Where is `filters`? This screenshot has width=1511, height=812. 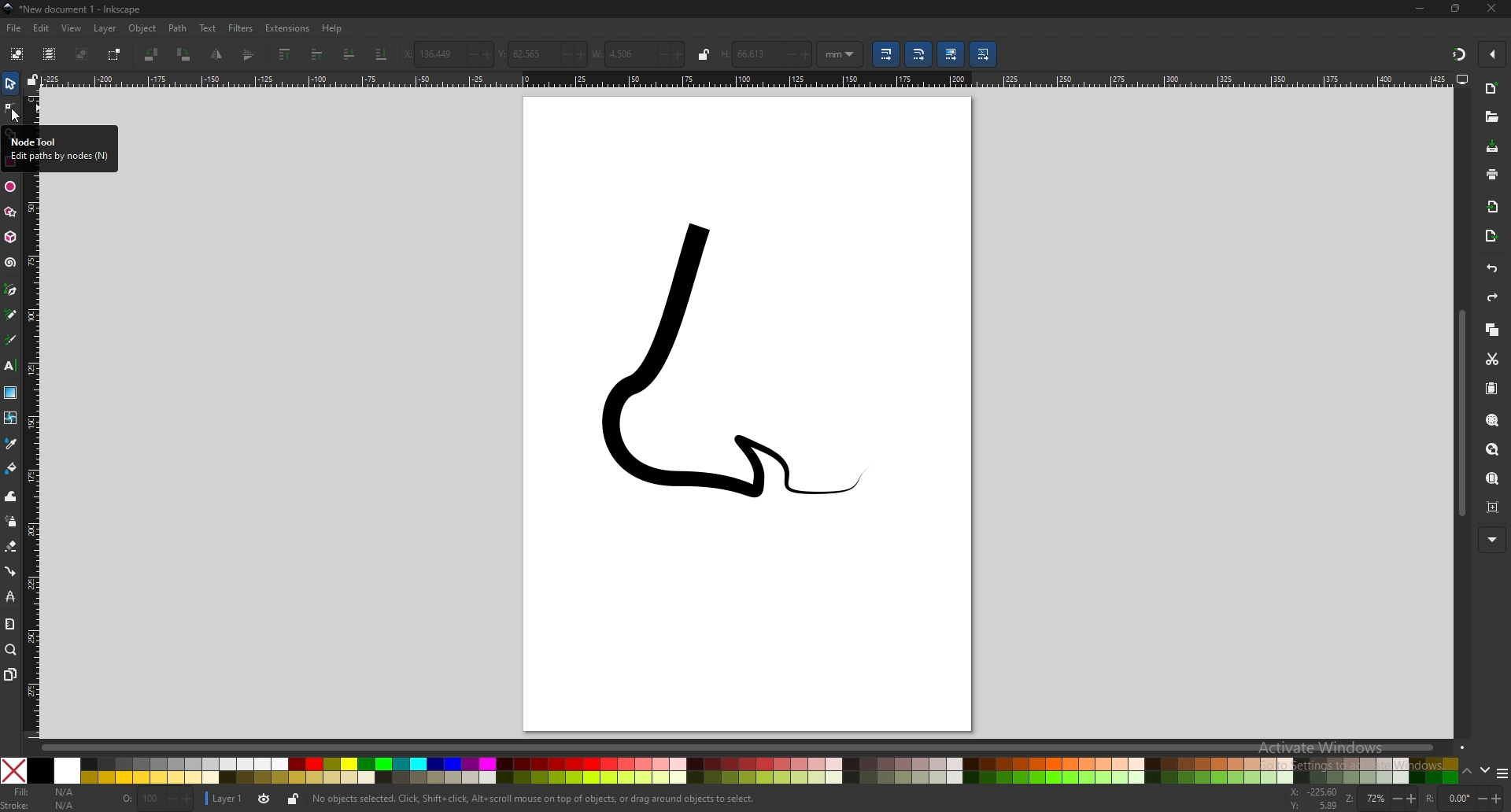 filters is located at coordinates (242, 27).